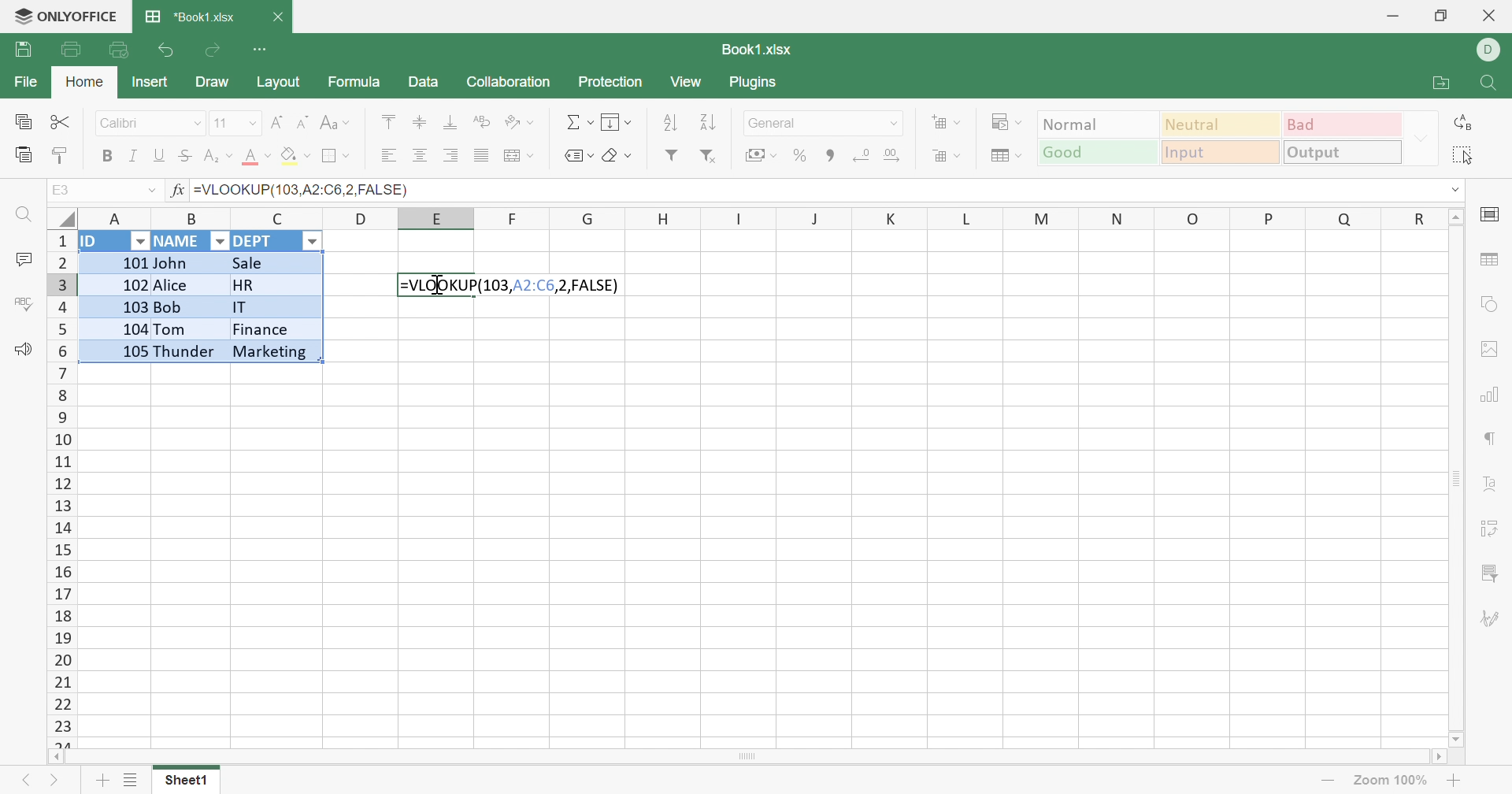 Image resolution: width=1512 pixels, height=794 pixels. I want to click on 104, so click(114, 327).